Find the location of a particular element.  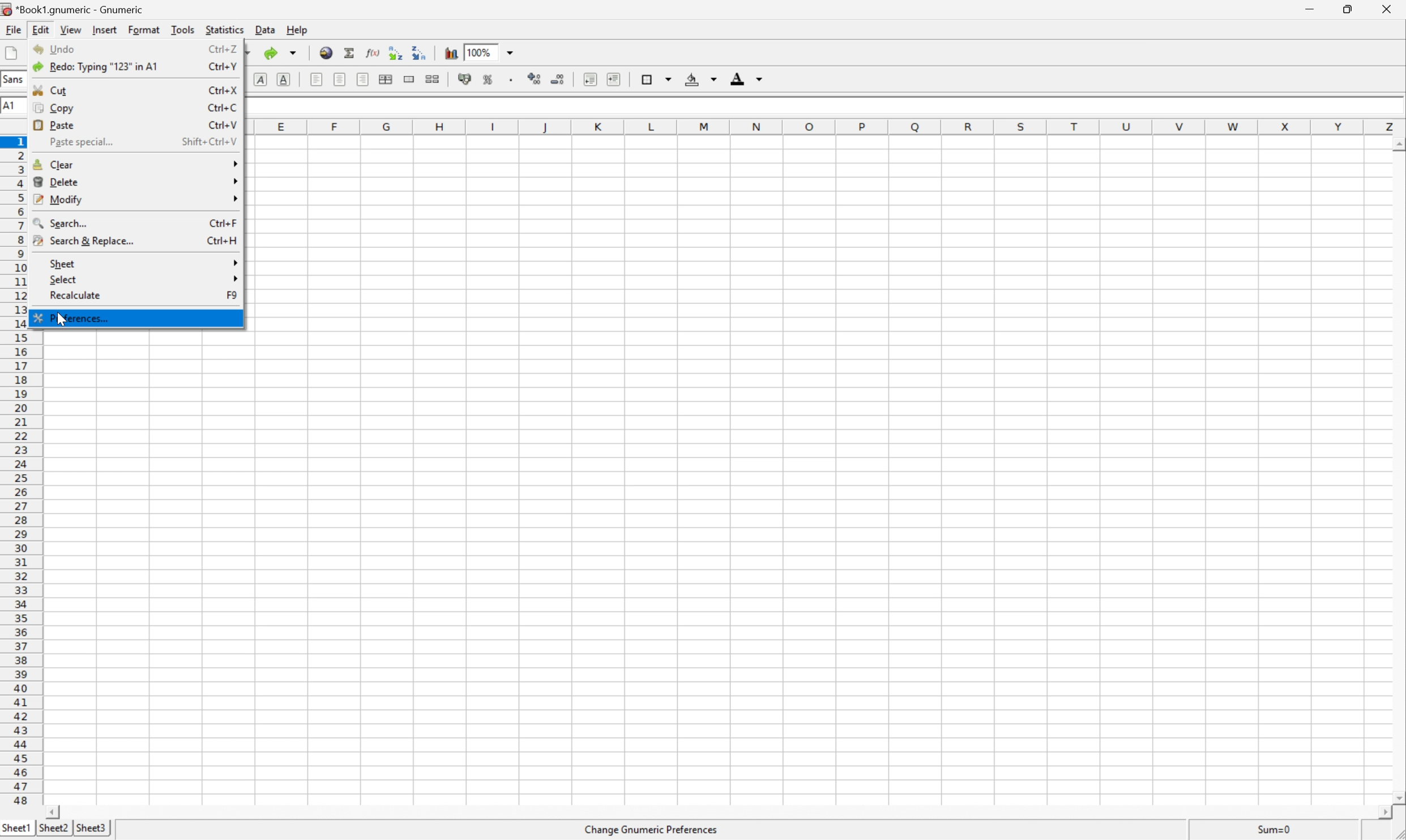

help is located at coordinates (298, 29).